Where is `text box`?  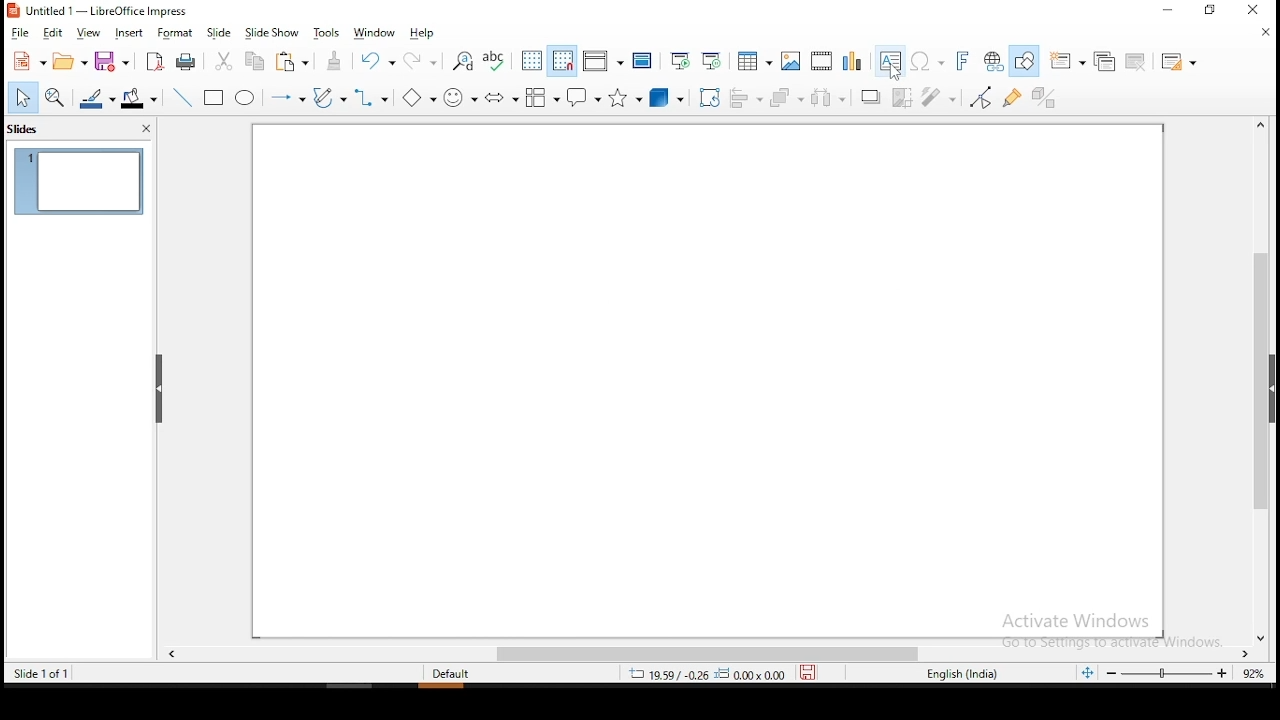
text box is located at coordinates (890, 59).